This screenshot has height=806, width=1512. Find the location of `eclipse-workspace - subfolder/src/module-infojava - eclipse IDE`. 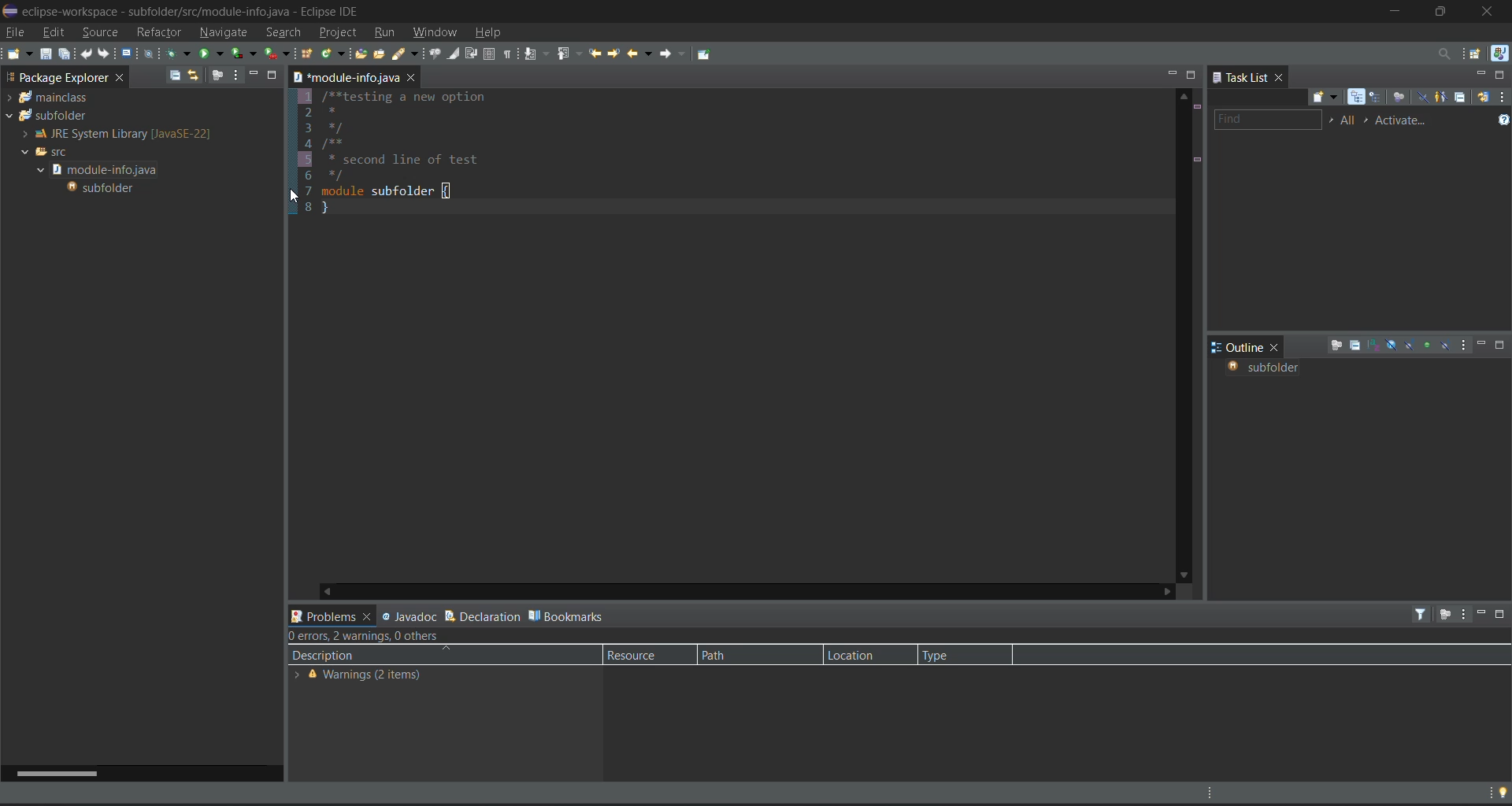

eclipse-workspace - subfolder/src/module-infojava - eclipse IDE is located at coordinates (198, 10).